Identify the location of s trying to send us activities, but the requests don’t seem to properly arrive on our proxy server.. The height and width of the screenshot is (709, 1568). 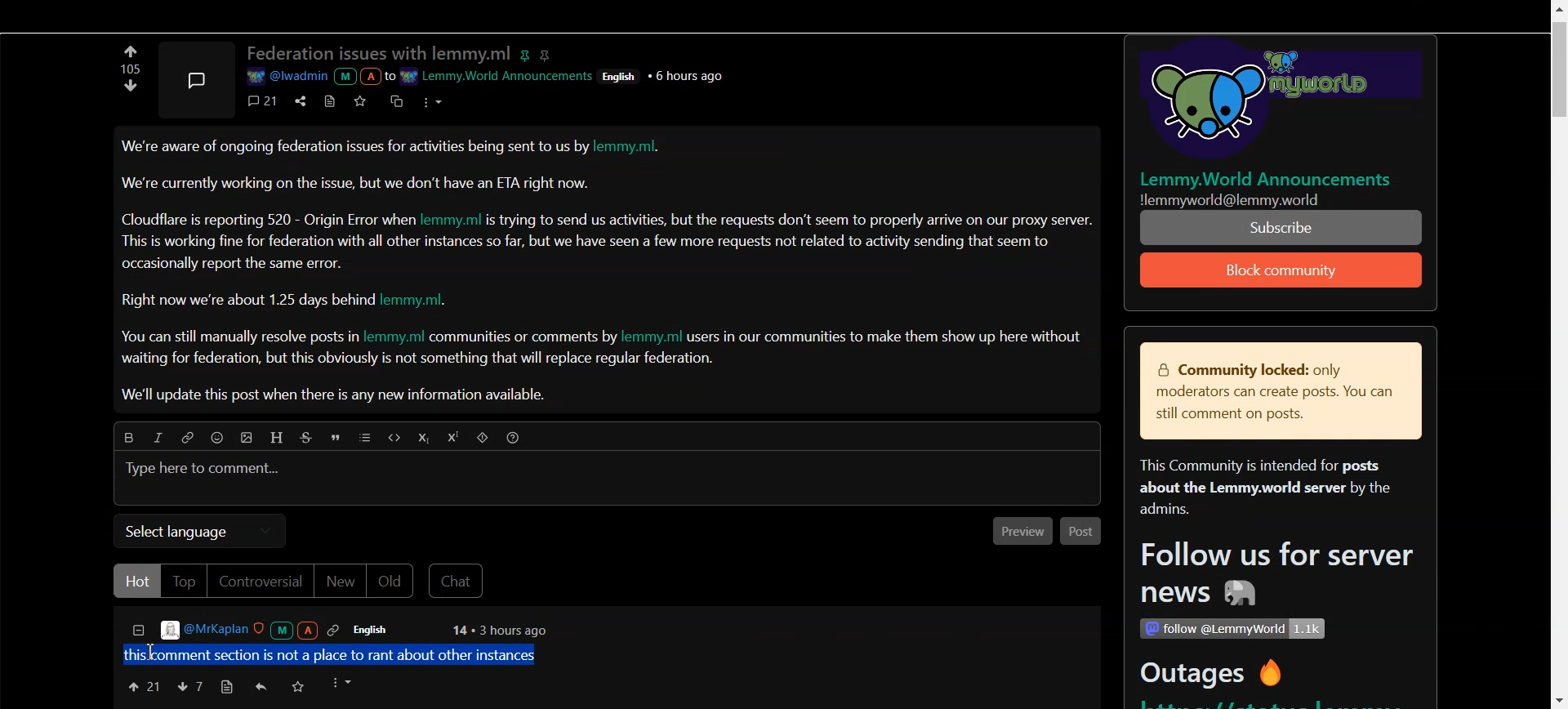
(791, 221).